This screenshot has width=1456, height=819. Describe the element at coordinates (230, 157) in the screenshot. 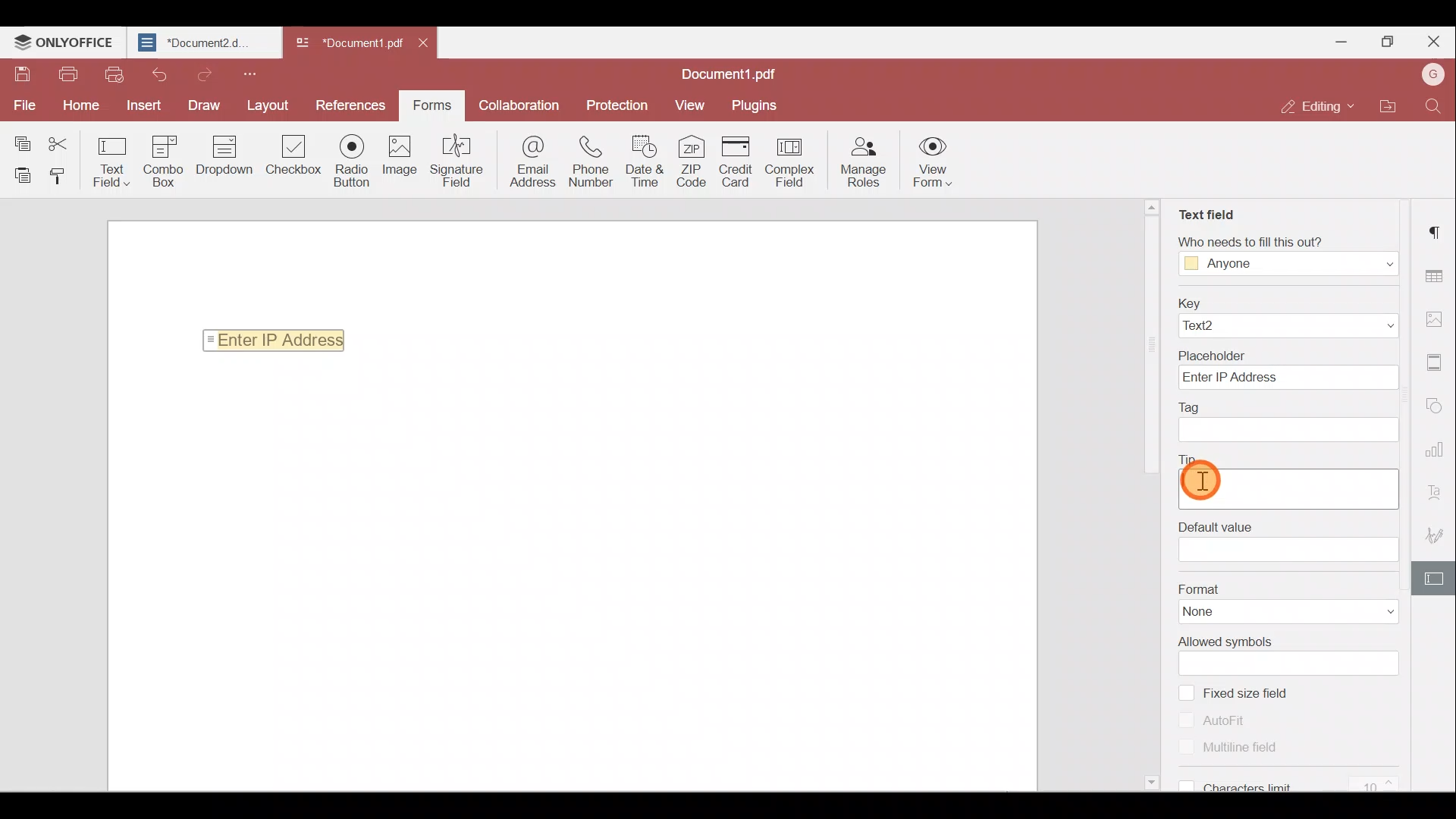

I see `Drop down` at that location.